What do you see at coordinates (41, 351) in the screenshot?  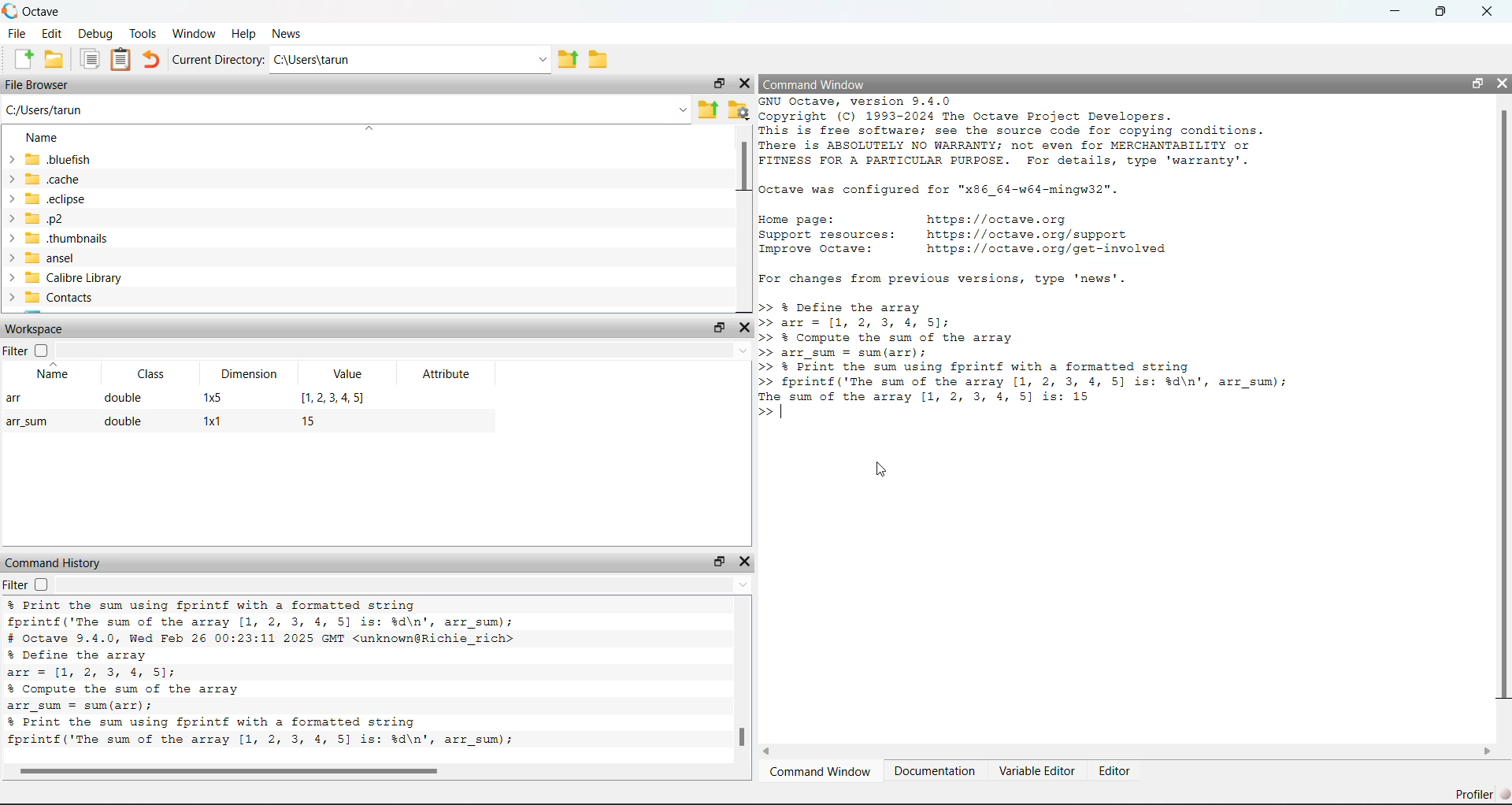 I see `Check box` at bounding box center [41, 351].